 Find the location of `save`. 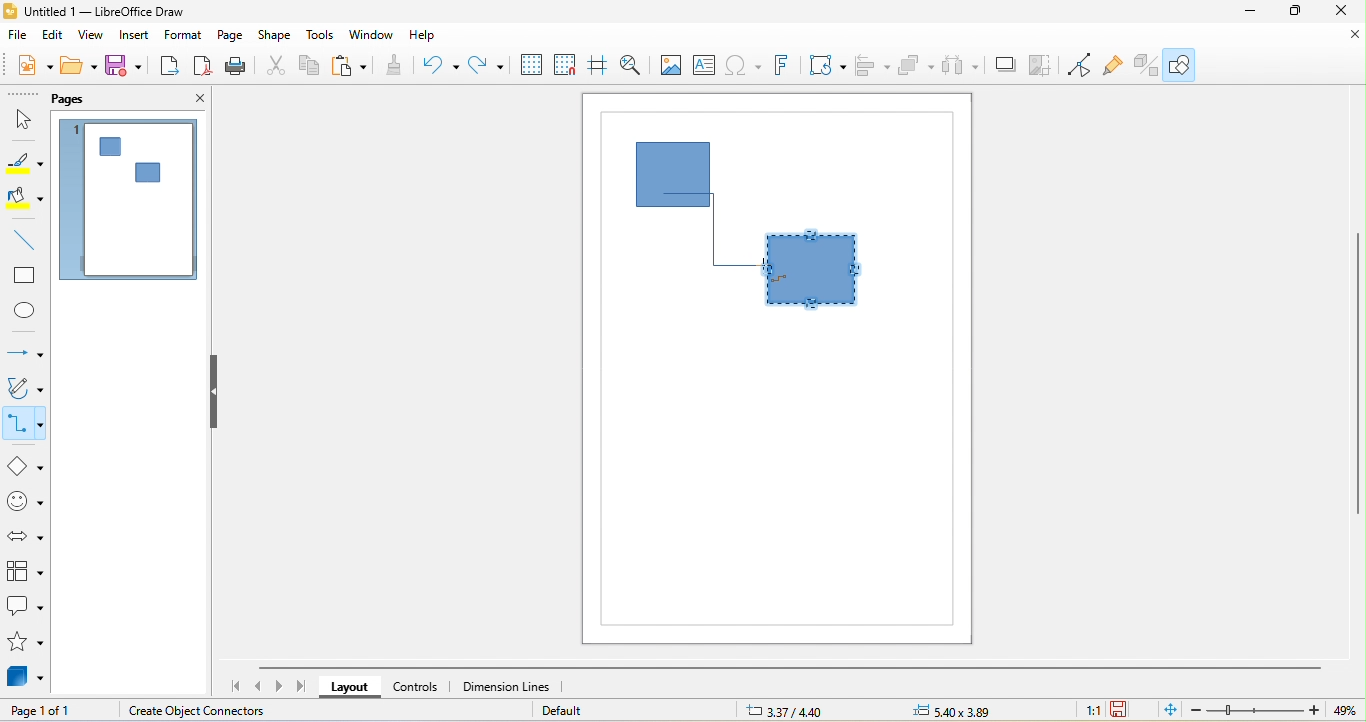

save is located at coordinates (122, 66).